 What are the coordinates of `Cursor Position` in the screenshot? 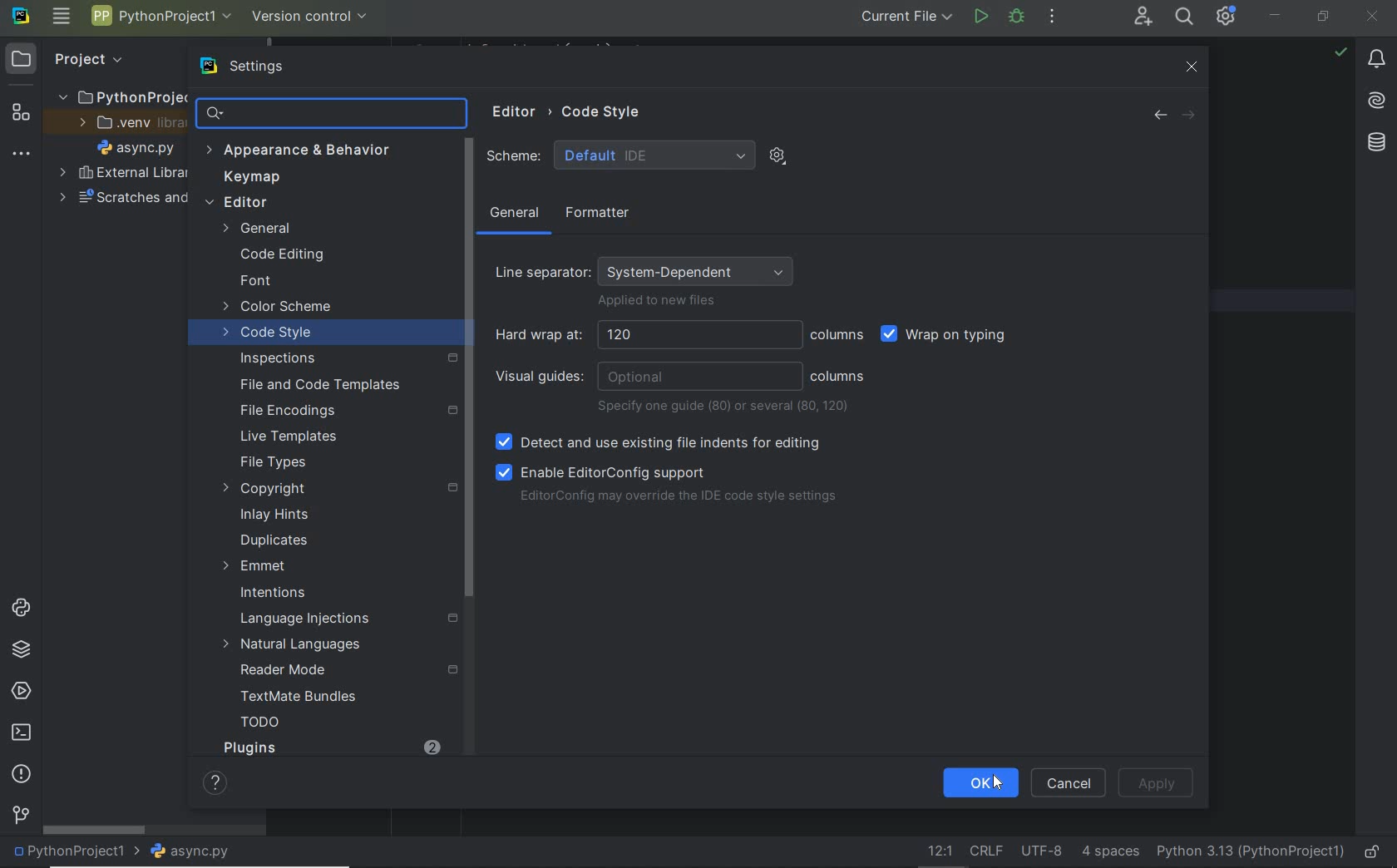 It's located at (997, 783).